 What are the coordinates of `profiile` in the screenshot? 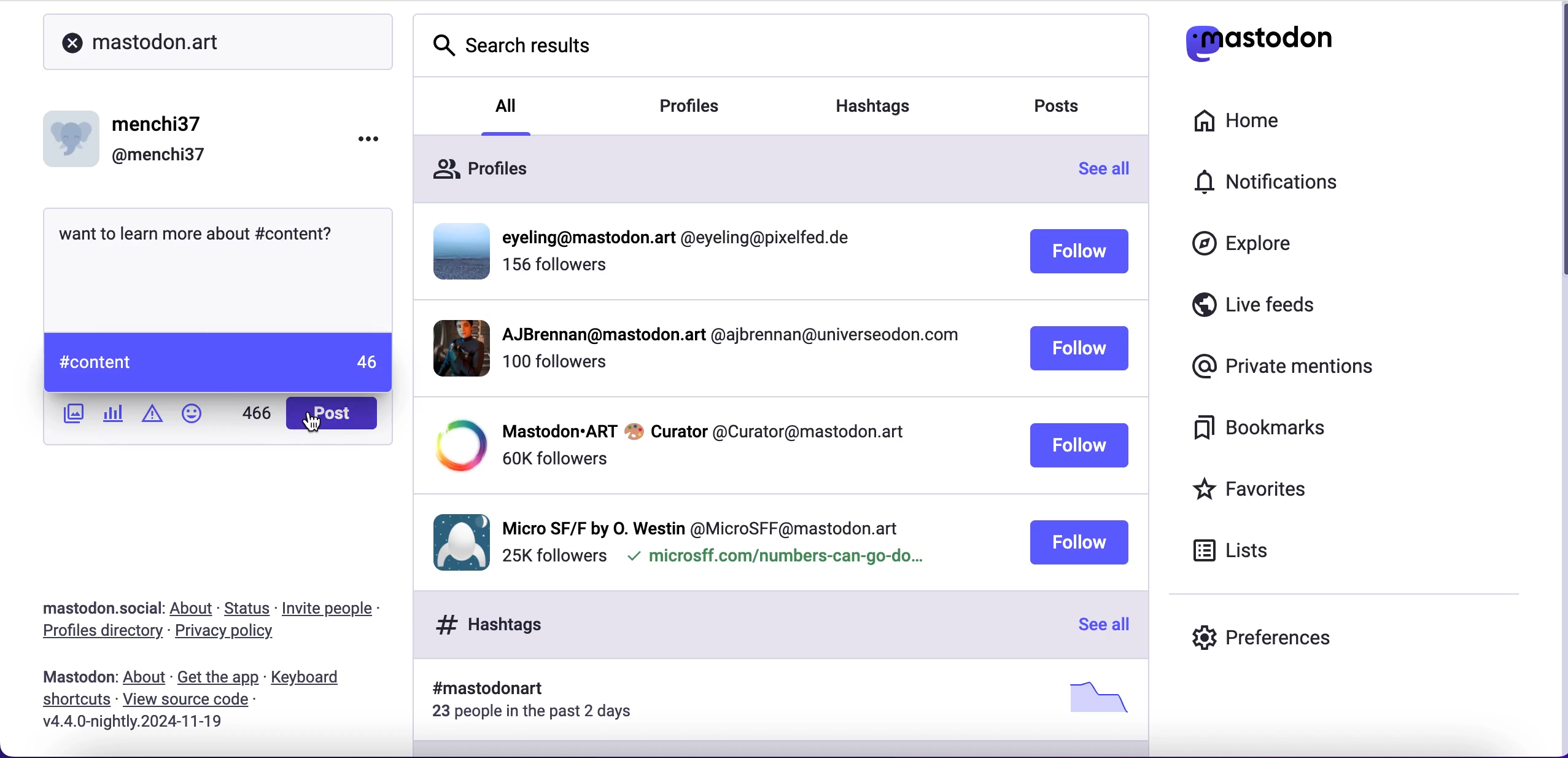 It's located at (683, 238).